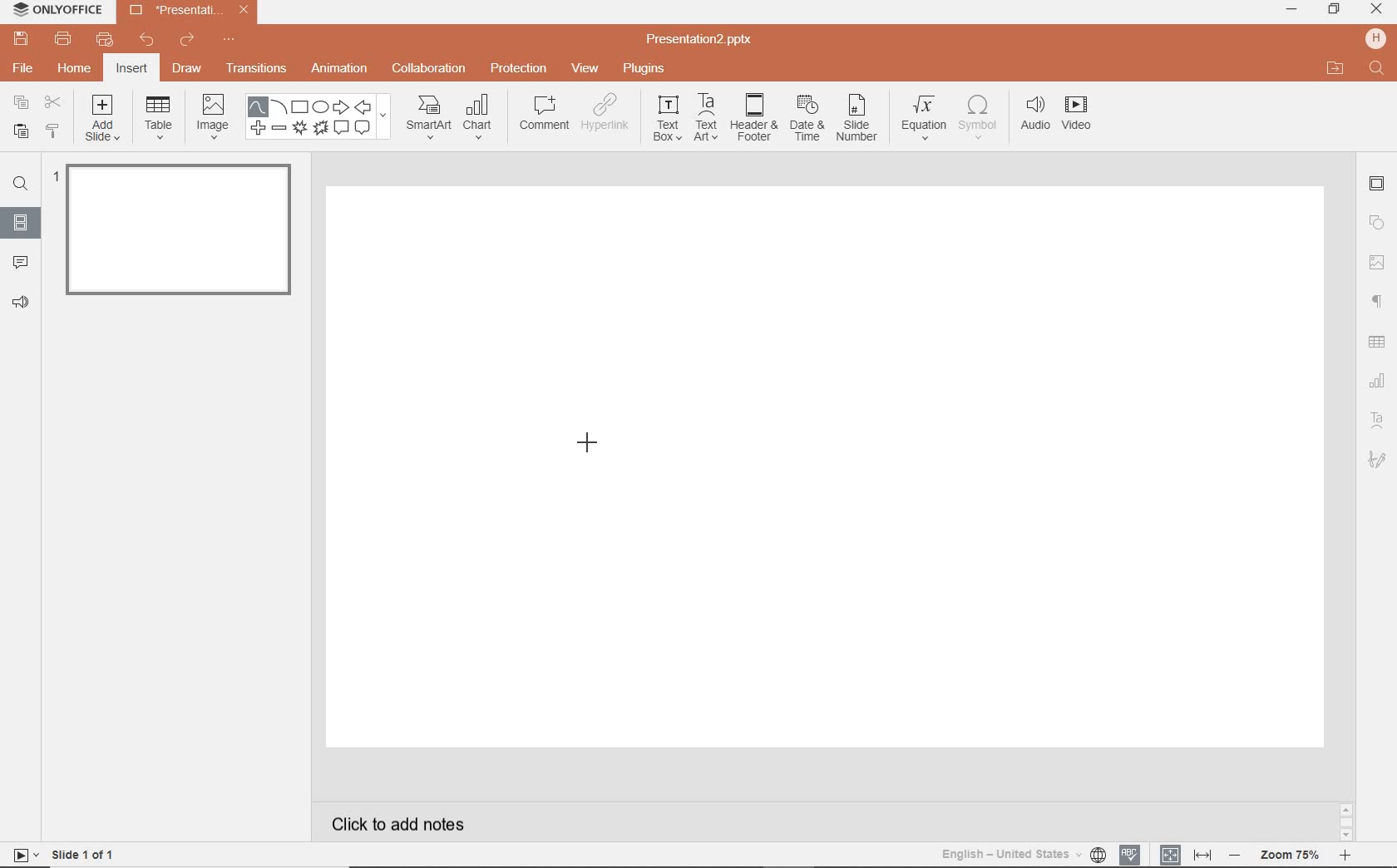 The width and height of the screenshot is (1397, 868). I want to click on COPY, so click(17, 102).